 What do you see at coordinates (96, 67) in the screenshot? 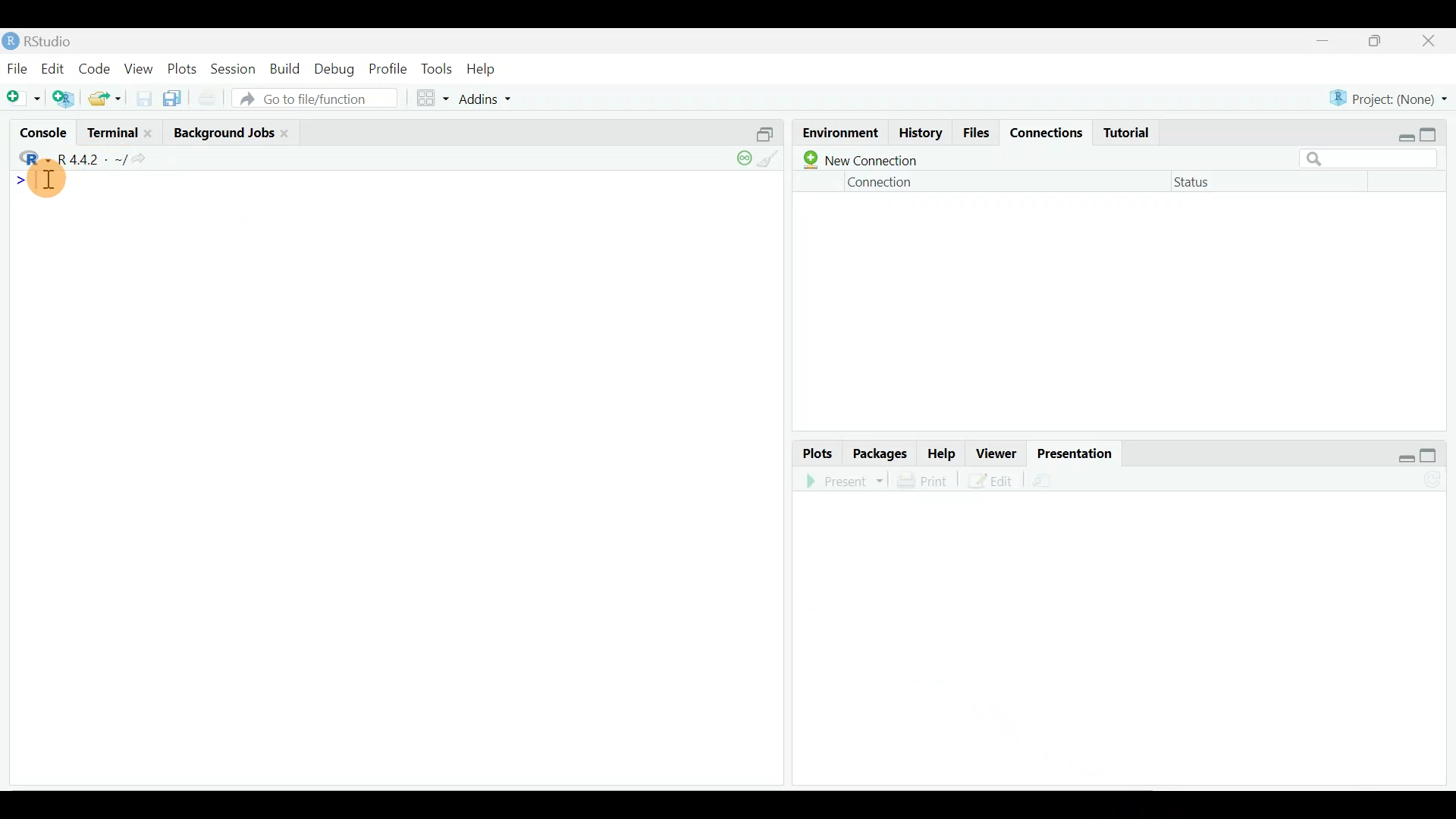
I see `Code` at bounding box center [96, 67].